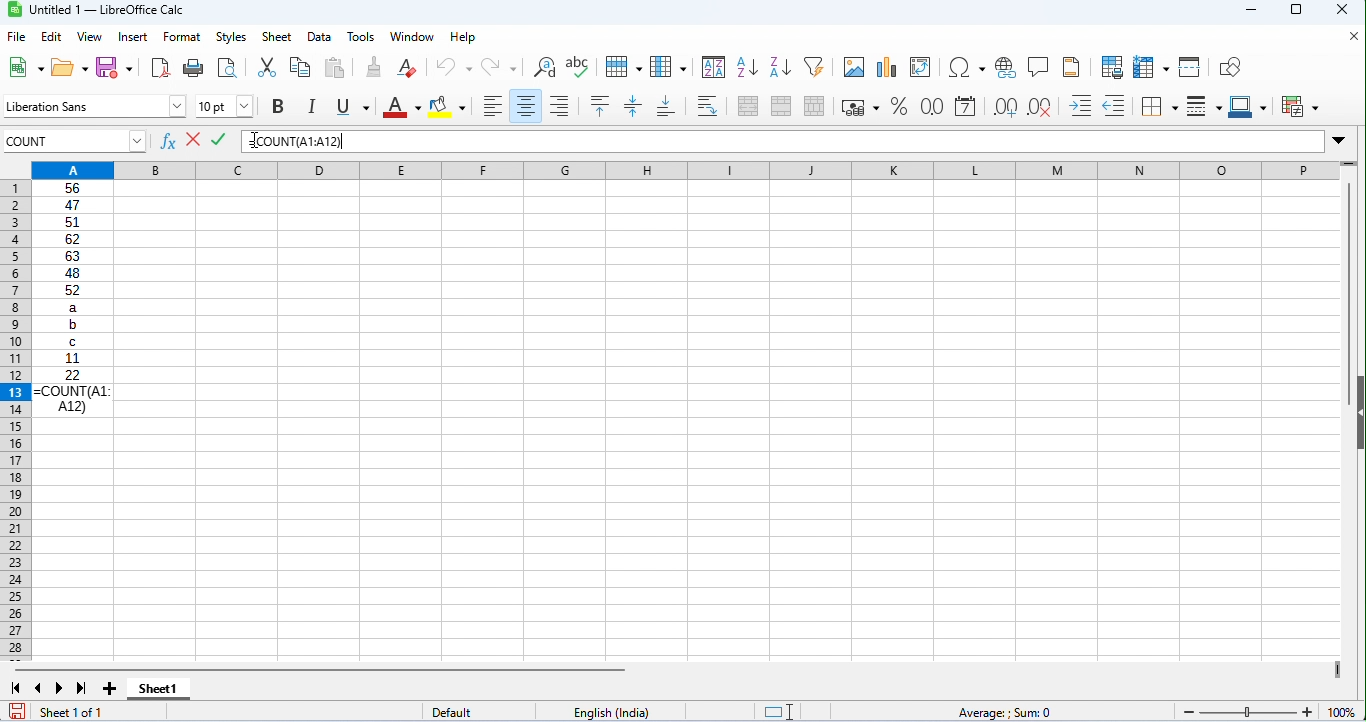 The width and height of the screenshot is (1366, 722). What do you see at coordinates (853, 68) in the screenshot?
I see `insert image` at bounding box center [853, 68].